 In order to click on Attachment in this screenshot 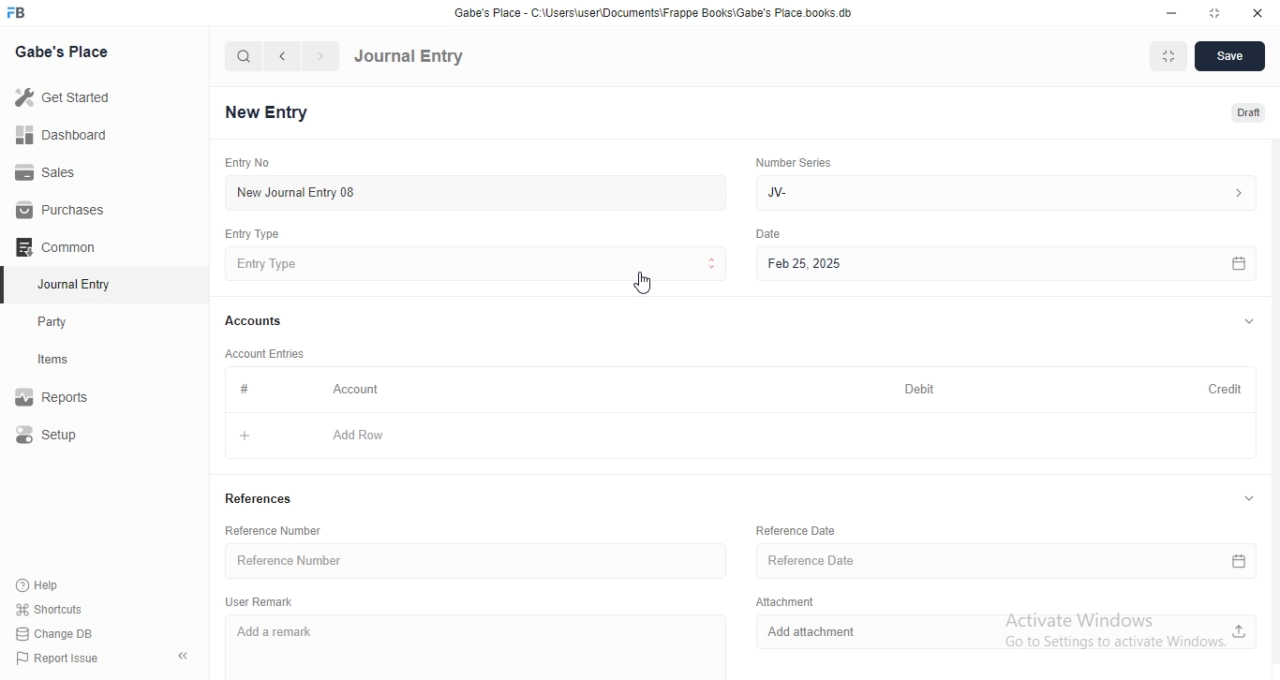, I will do `click(782, 601)`.